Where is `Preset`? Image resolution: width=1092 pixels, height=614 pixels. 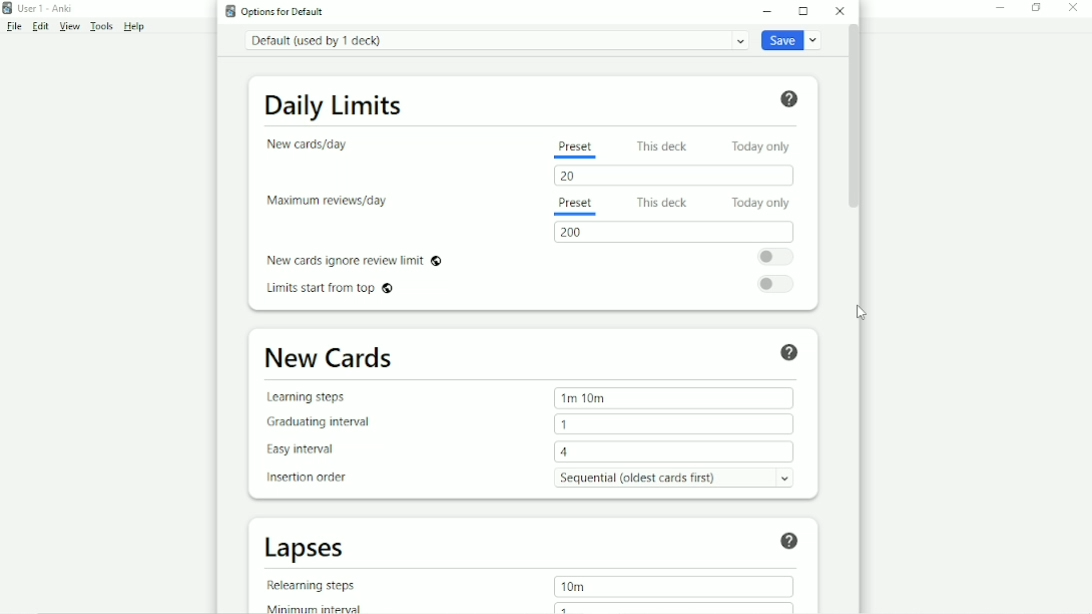 Preset is located at coordinates (577, 150).